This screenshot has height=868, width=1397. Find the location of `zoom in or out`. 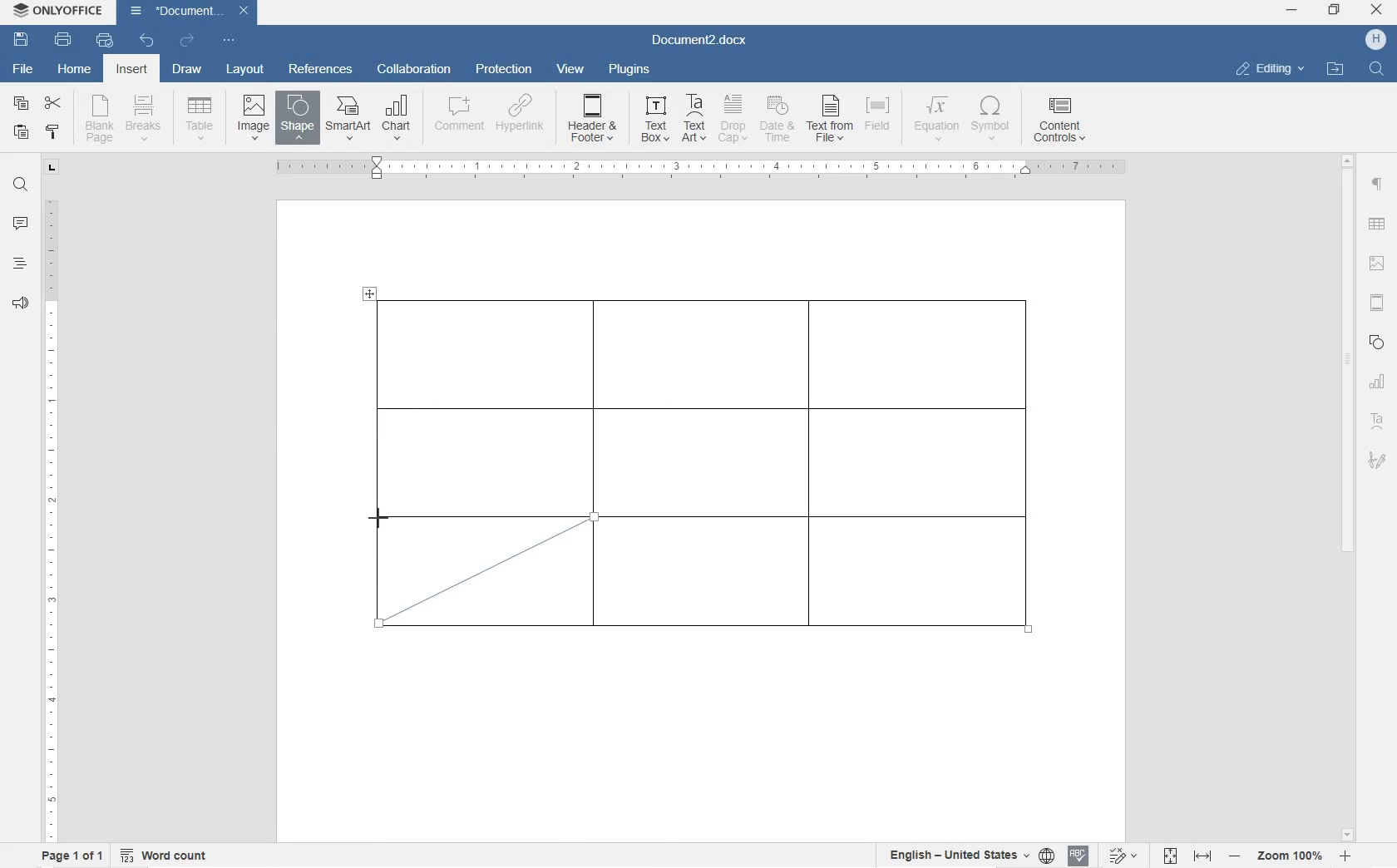

zoom in or out is located at coordinates (1291, 856).